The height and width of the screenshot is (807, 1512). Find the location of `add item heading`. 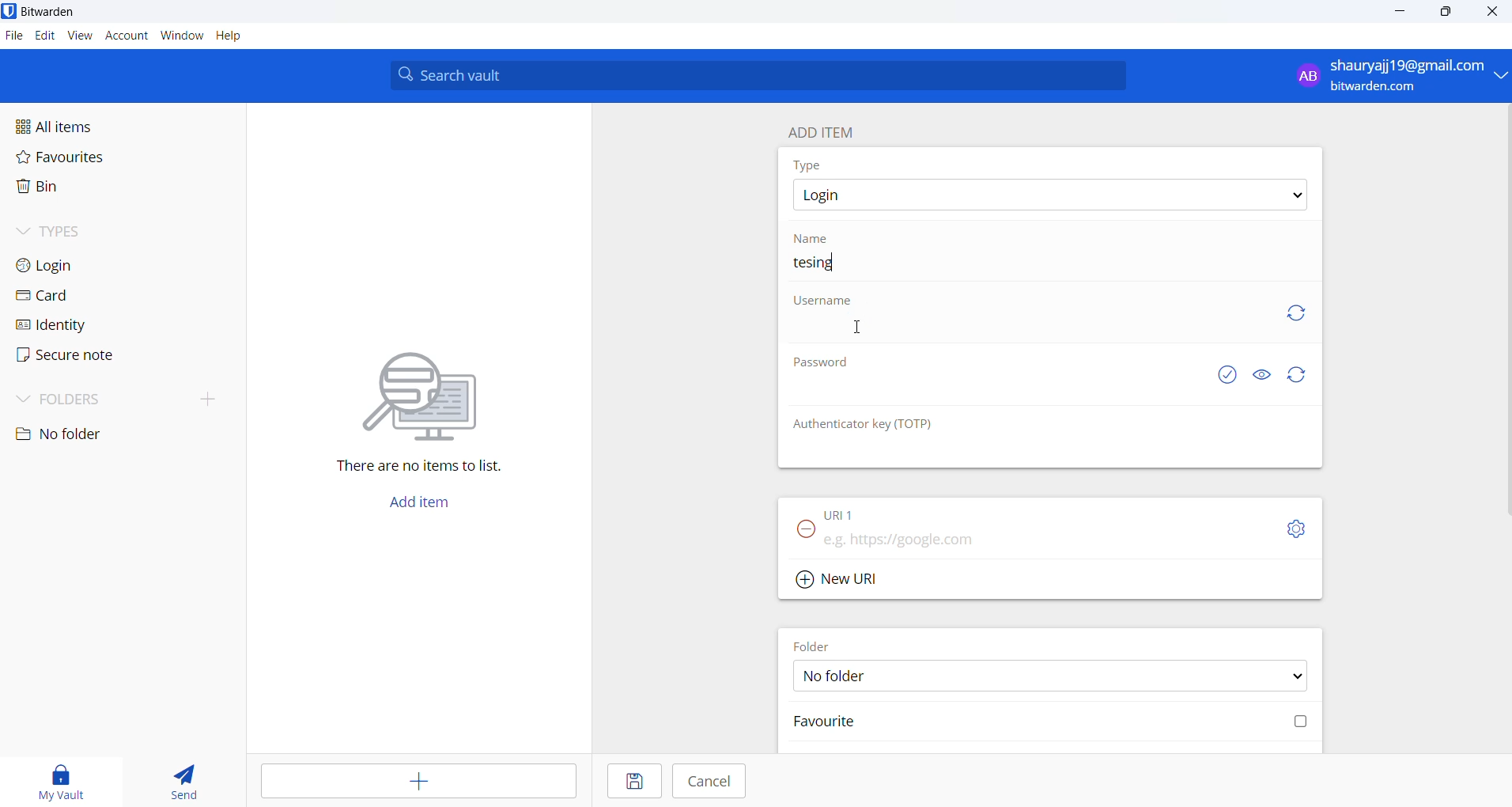

add item heading is located at coordinates (827, 131).